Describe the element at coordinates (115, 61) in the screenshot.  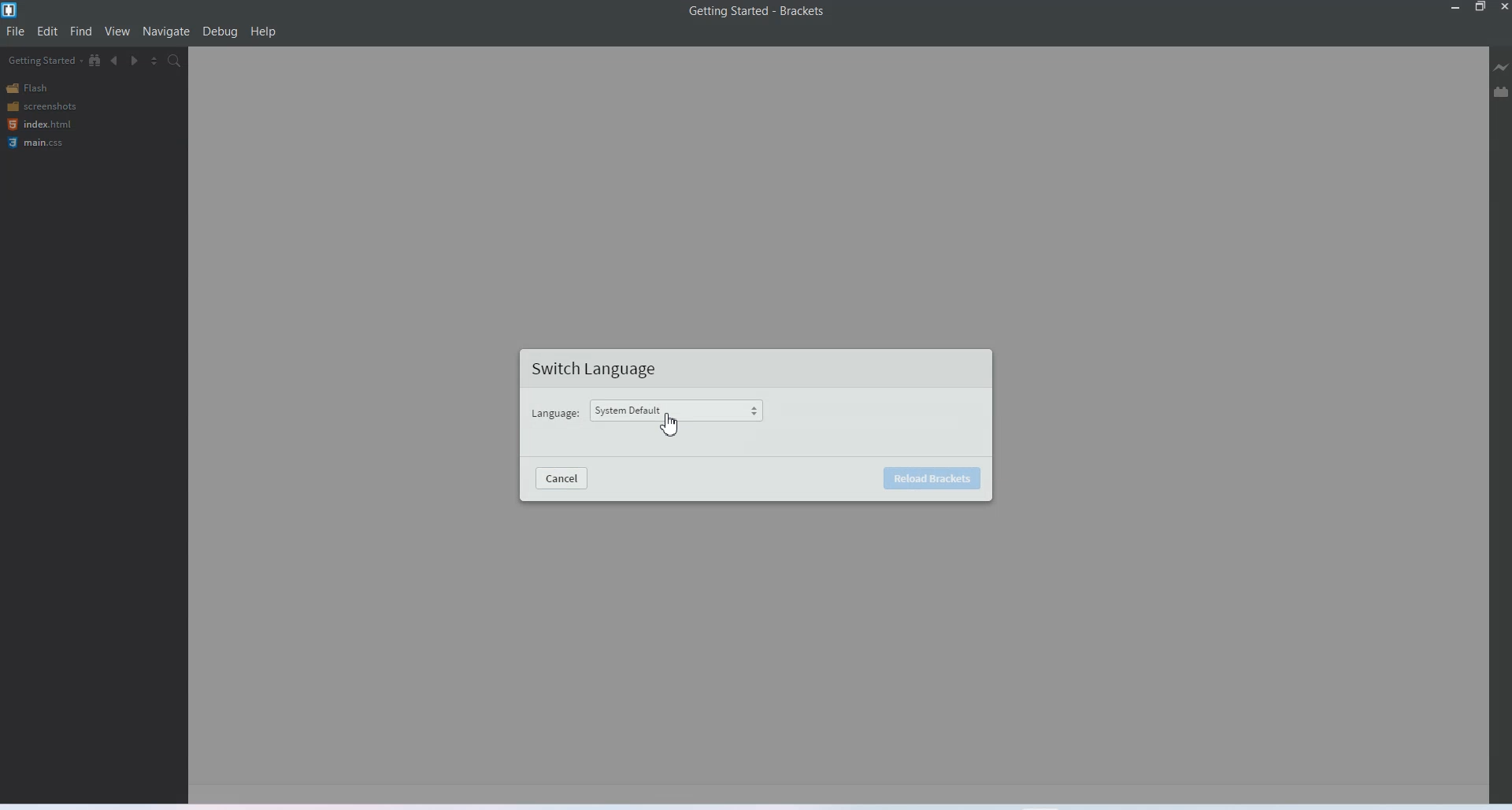
I see `Navigate backward` at that location.